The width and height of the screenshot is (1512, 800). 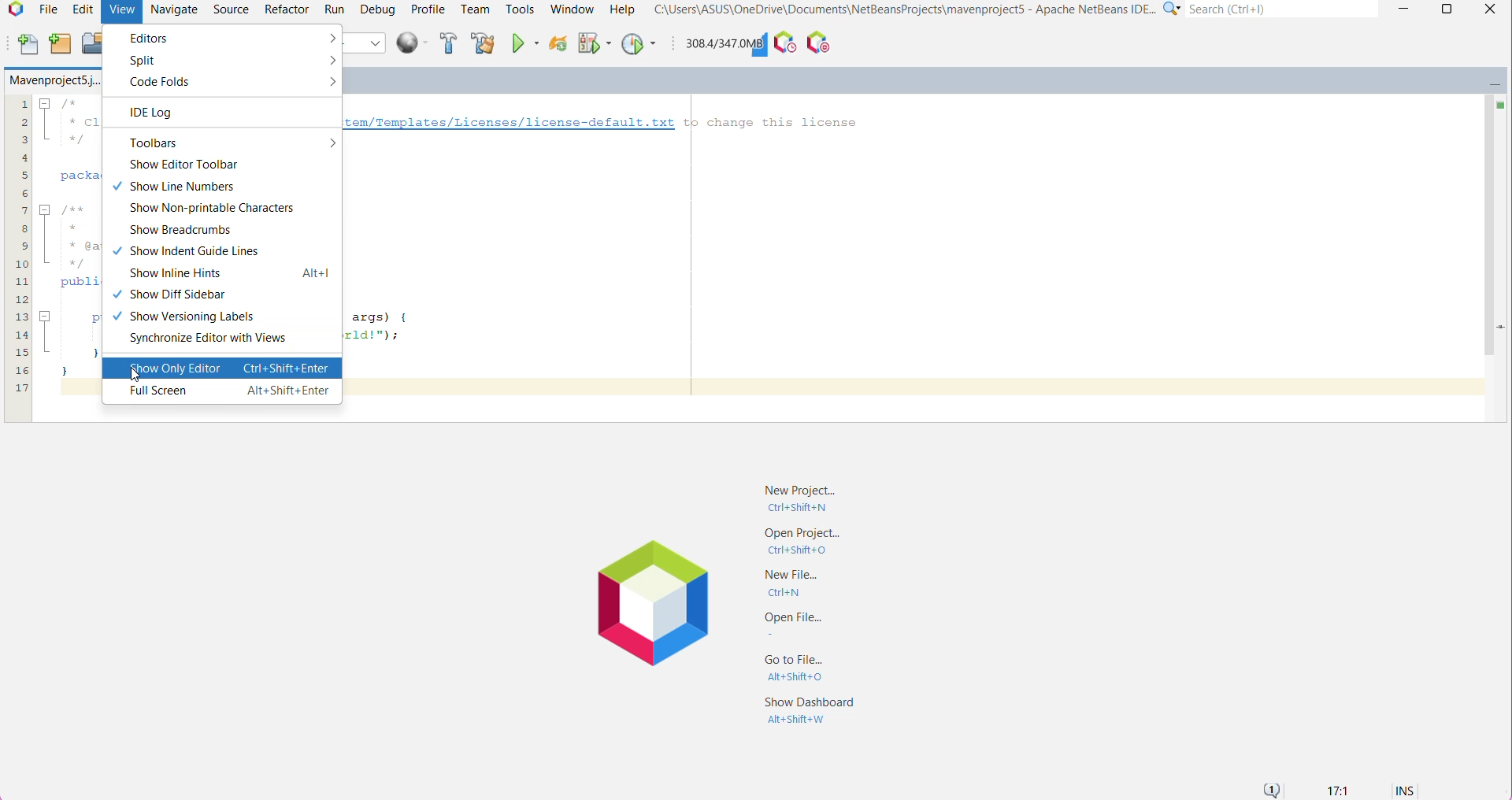 What do you see at coordinates (54, 80) in the screenshot?
I see `Mavenproject5.j..` at bounding box center [54, 80].